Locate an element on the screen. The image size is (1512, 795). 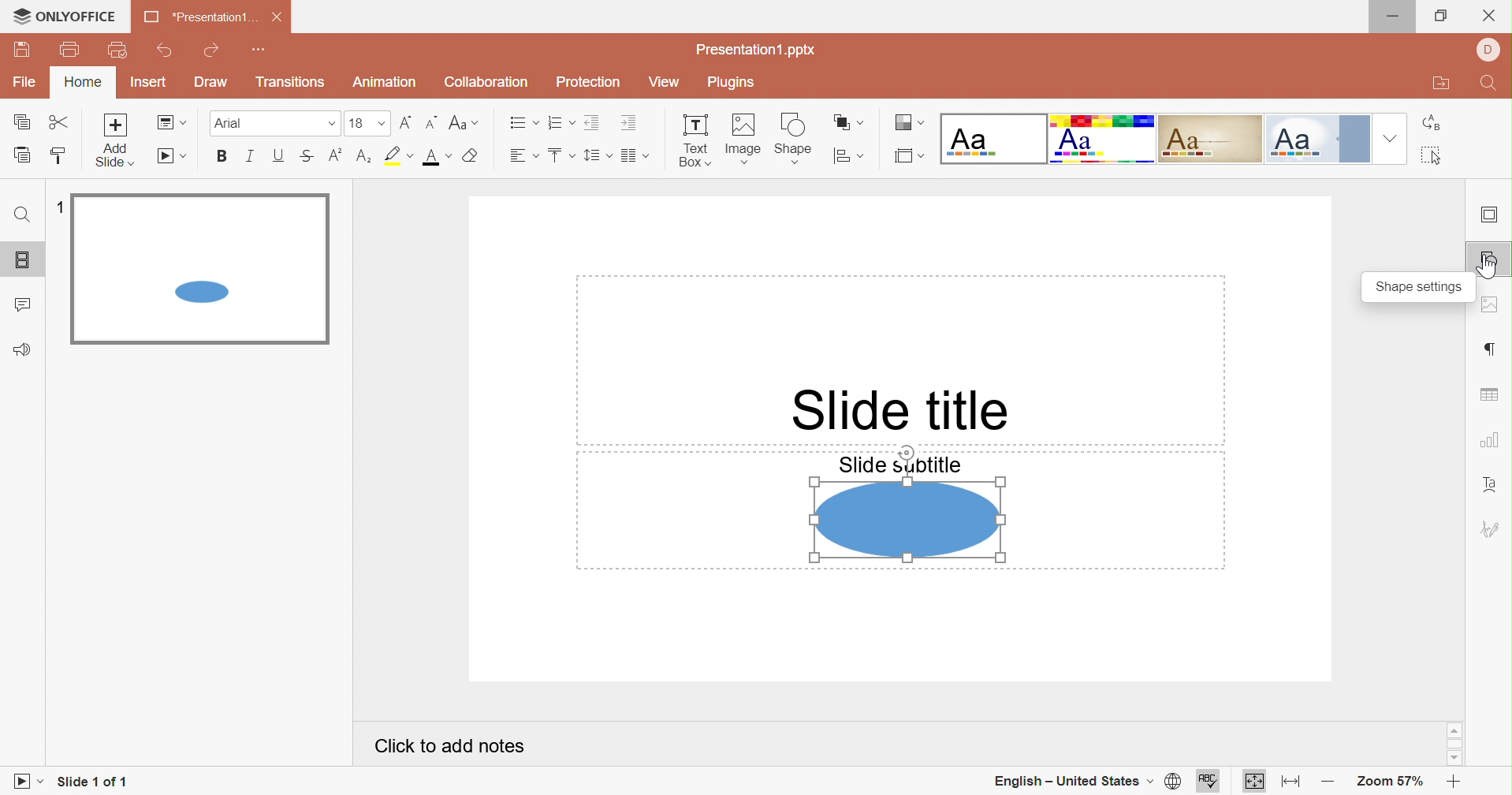
Scroll bar is located at coordinates (1454, 743).